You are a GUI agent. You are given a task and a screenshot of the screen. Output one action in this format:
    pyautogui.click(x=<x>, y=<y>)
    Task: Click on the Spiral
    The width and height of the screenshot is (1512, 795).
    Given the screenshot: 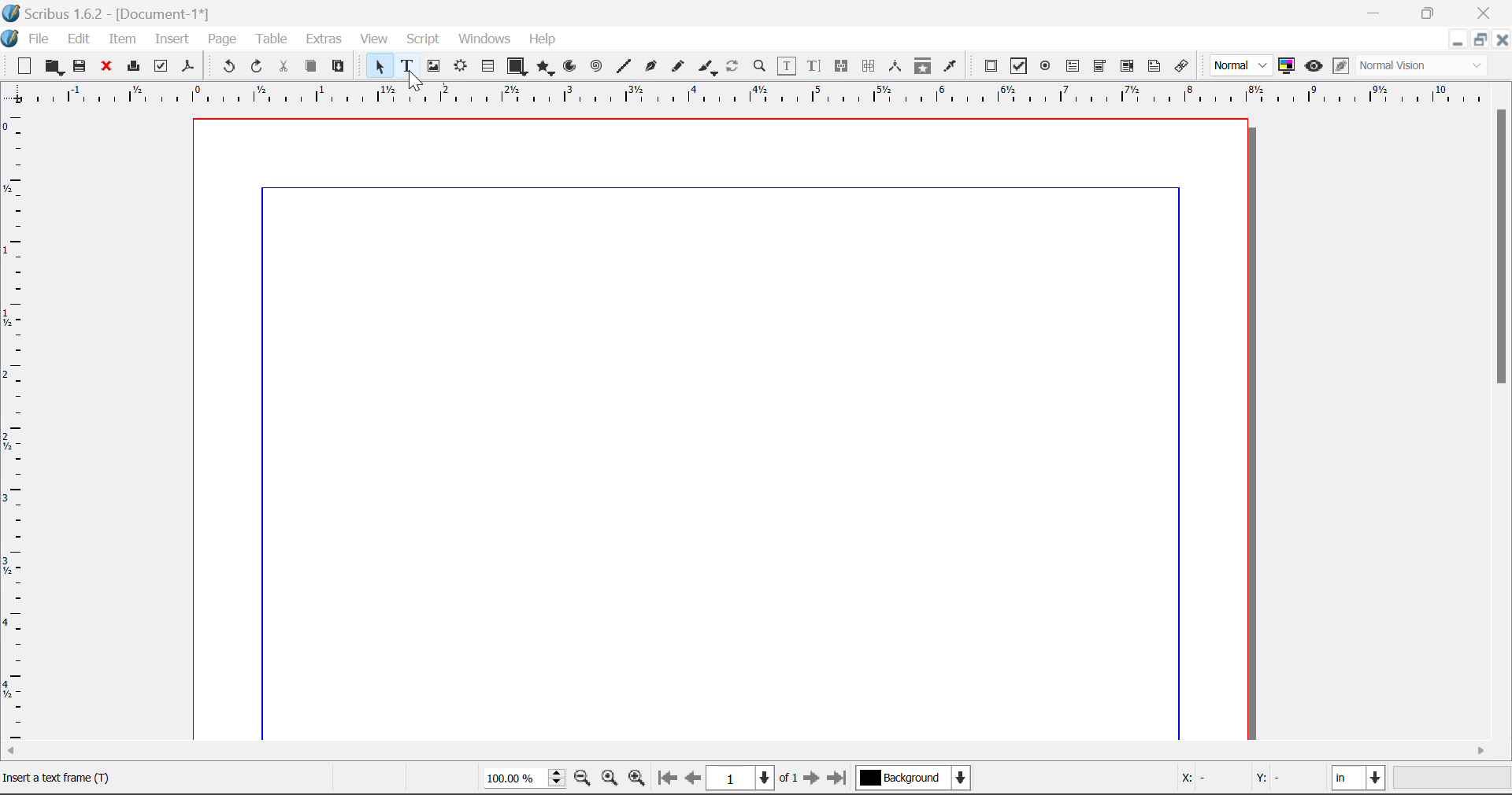 What is the action you would take?
    pyautogui.click(x=596, y=66)
    